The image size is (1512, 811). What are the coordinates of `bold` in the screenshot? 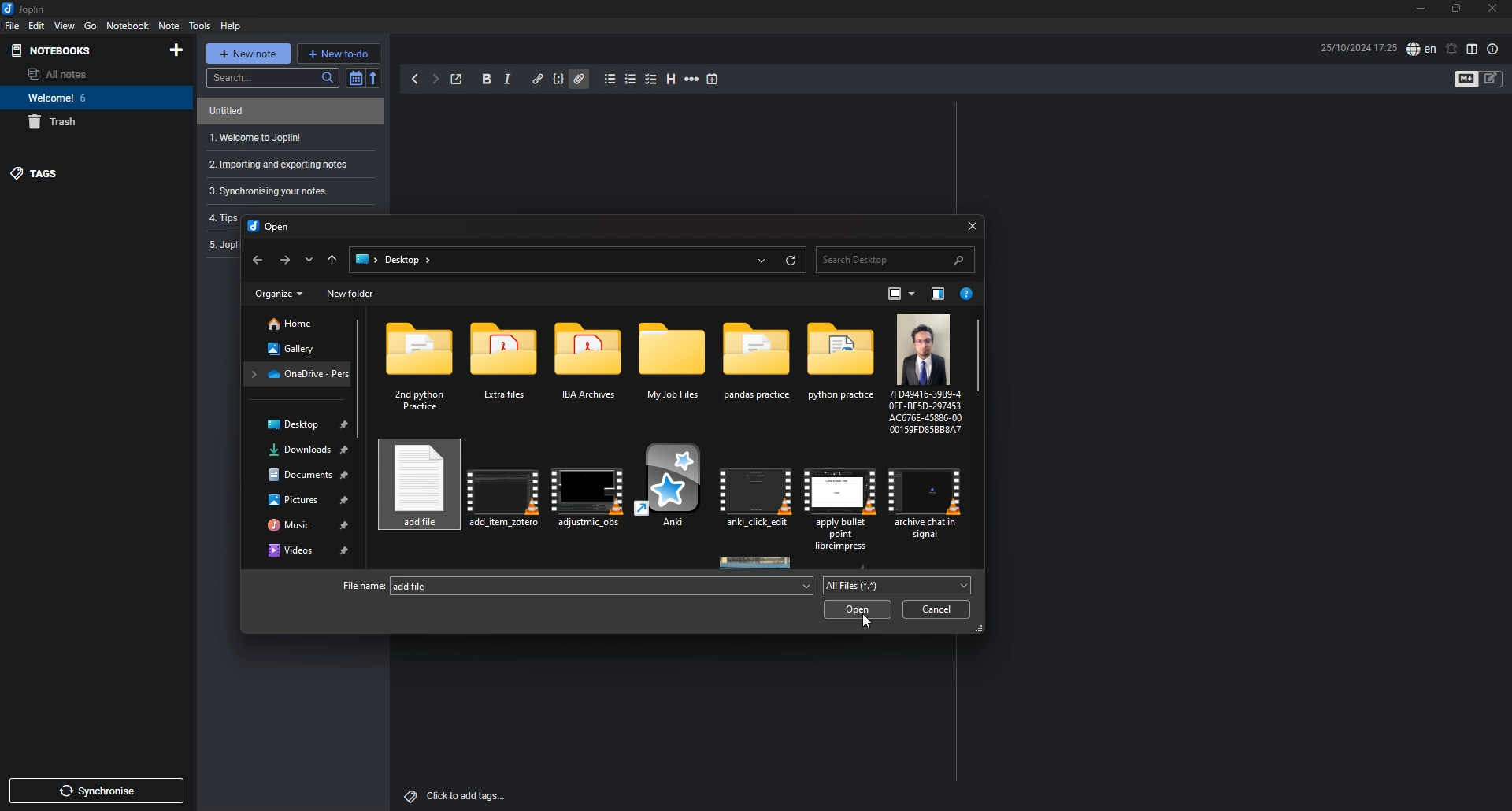 It's located at (487, 79).